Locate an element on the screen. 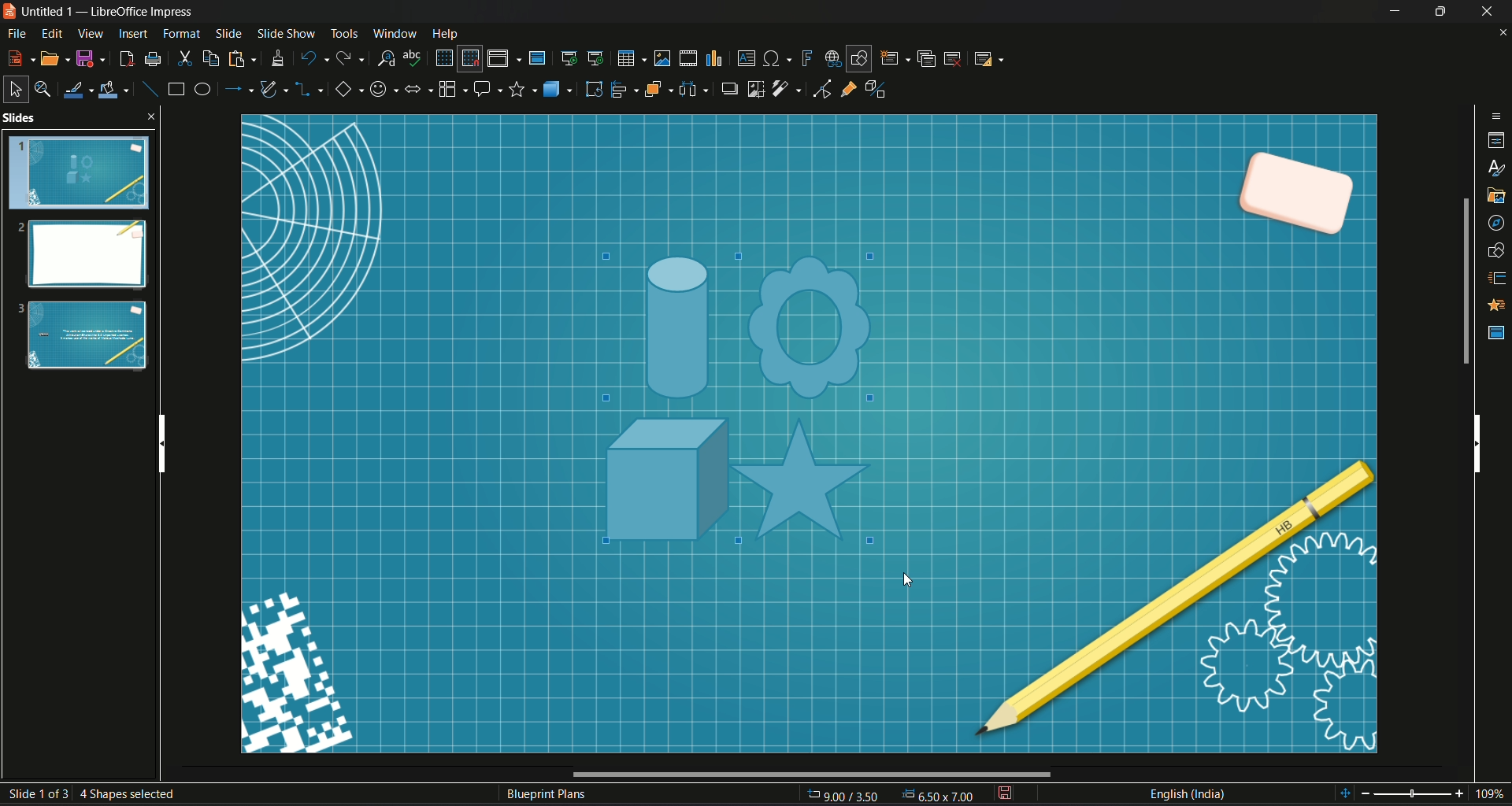 The width and height of the screenshot is (1512, 806). Slide number is located at coordinates (98, 793).